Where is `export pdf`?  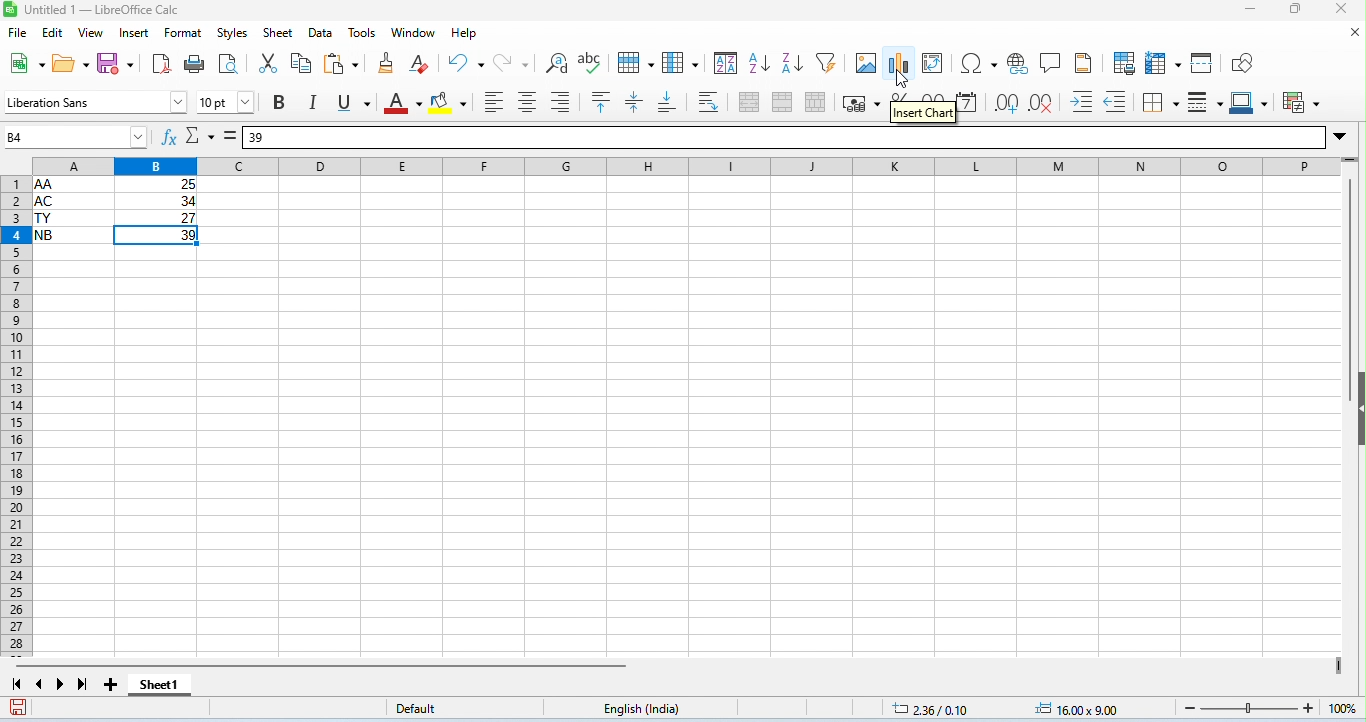
export pdf is located at coordinates (161, 65).